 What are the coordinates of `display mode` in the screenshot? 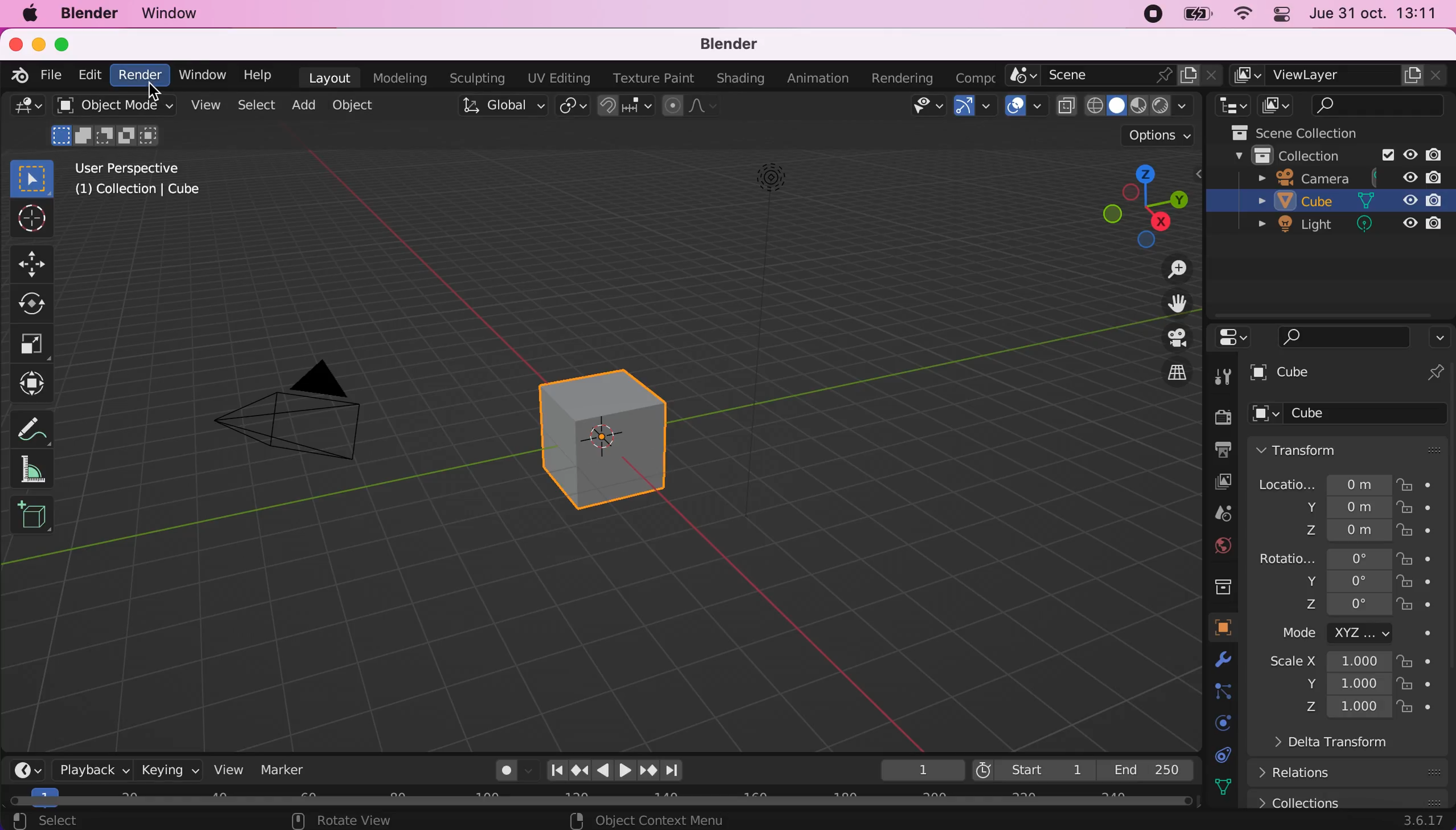 It's located at (1279, 105).